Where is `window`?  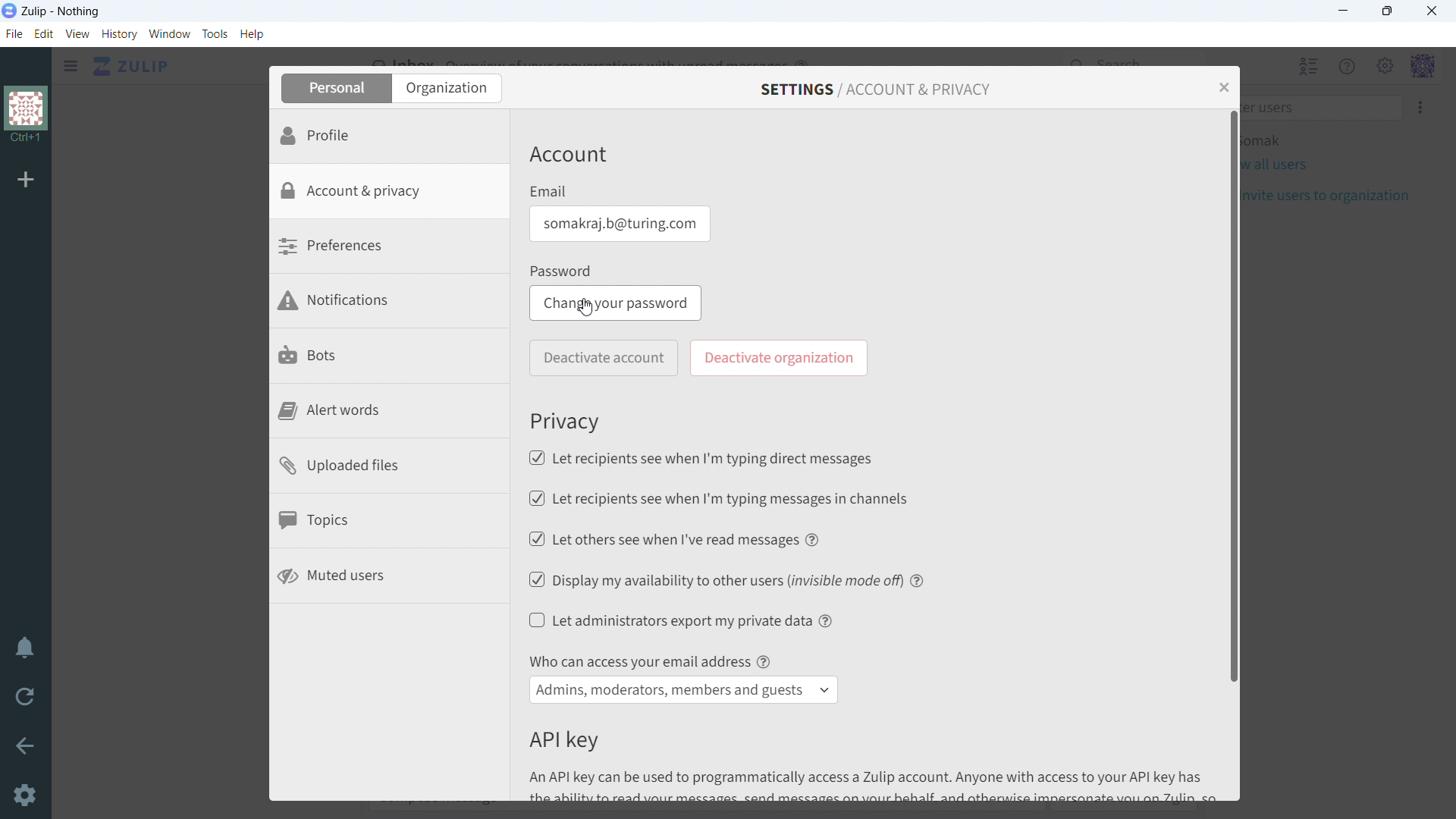 window is located at coordinates (171, 34).